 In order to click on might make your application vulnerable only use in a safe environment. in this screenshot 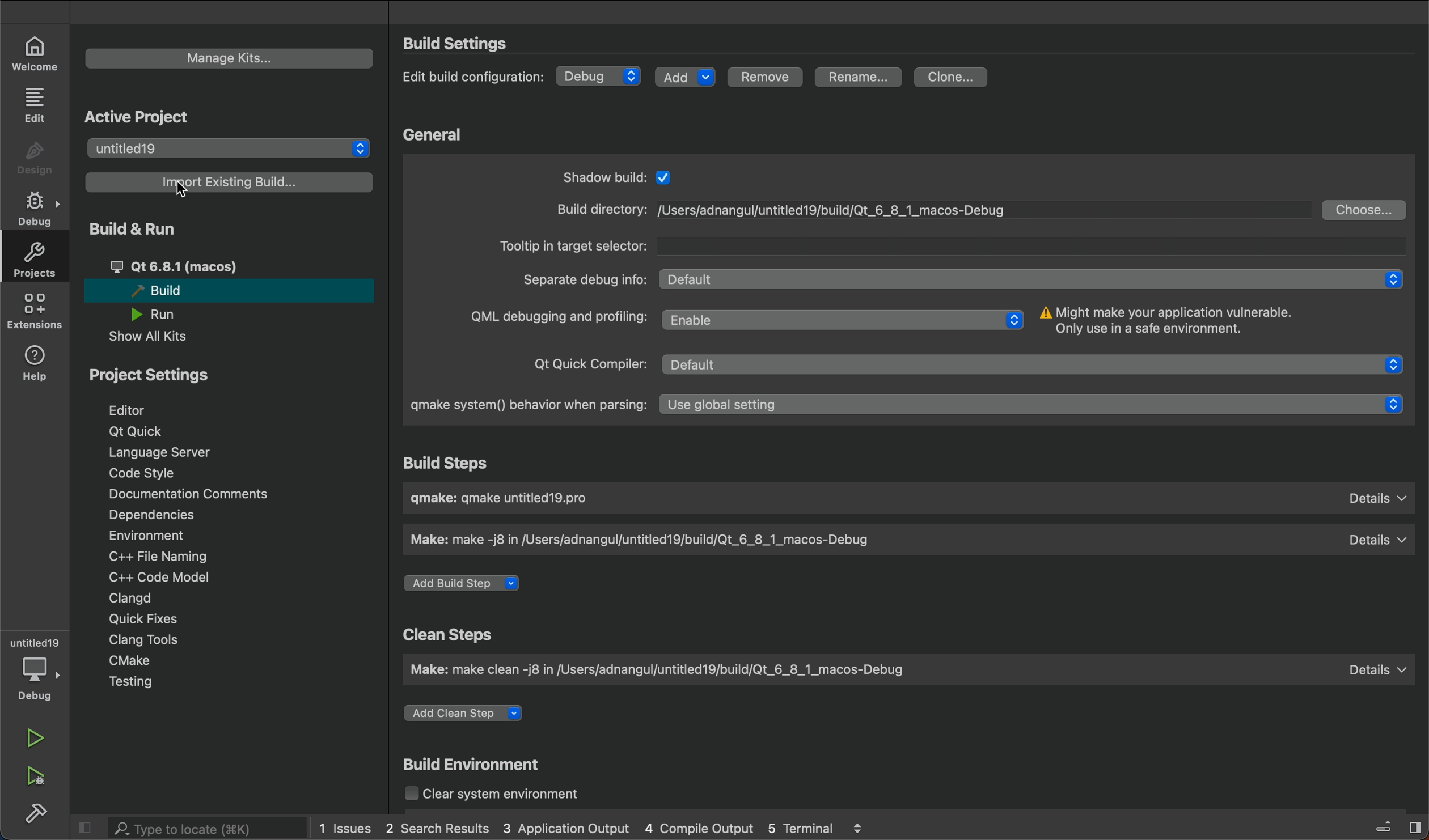, I will do `click(1190, 323)`.